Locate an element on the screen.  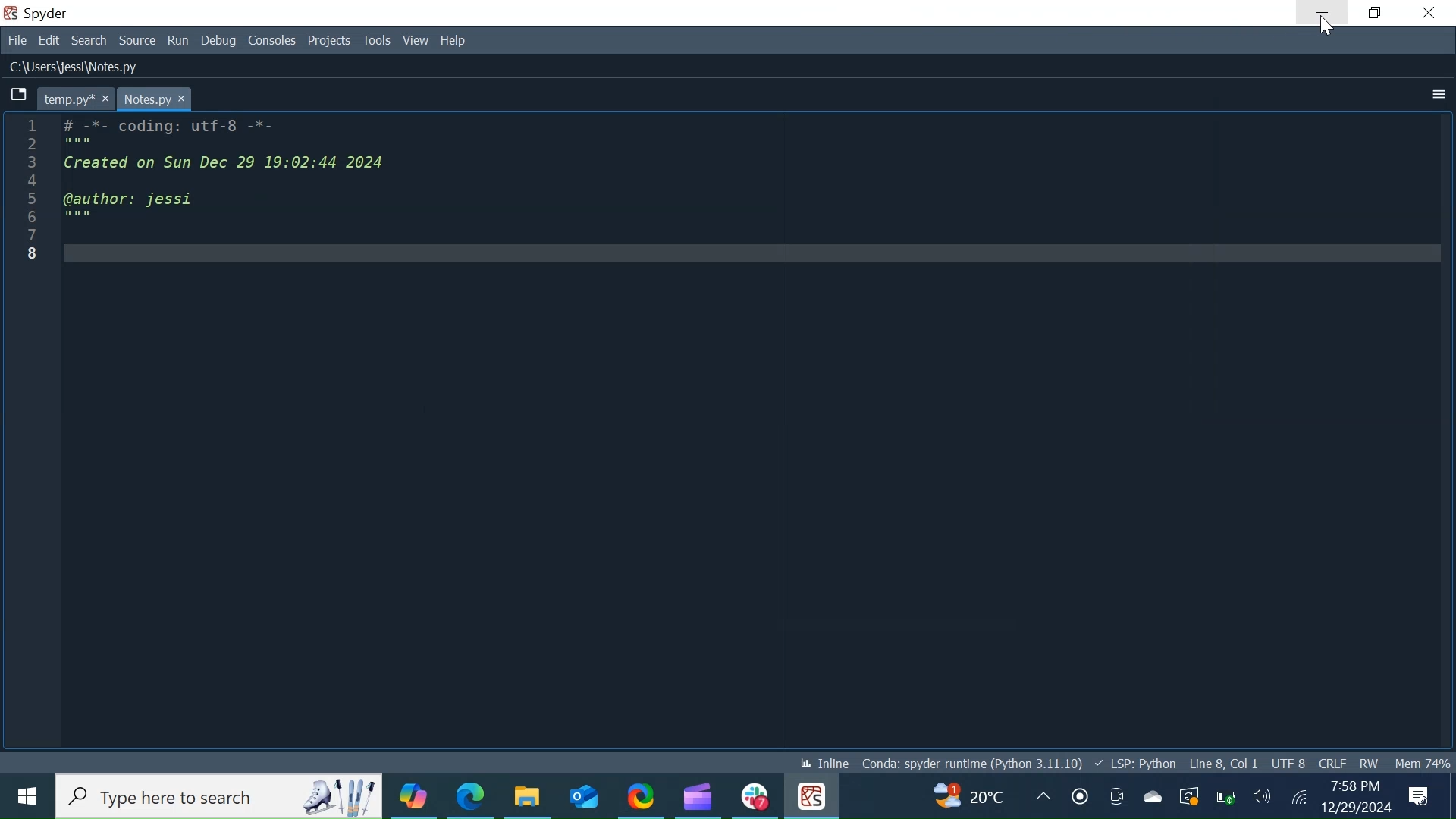
7:58 PM is located at coordinates (1354, 786).